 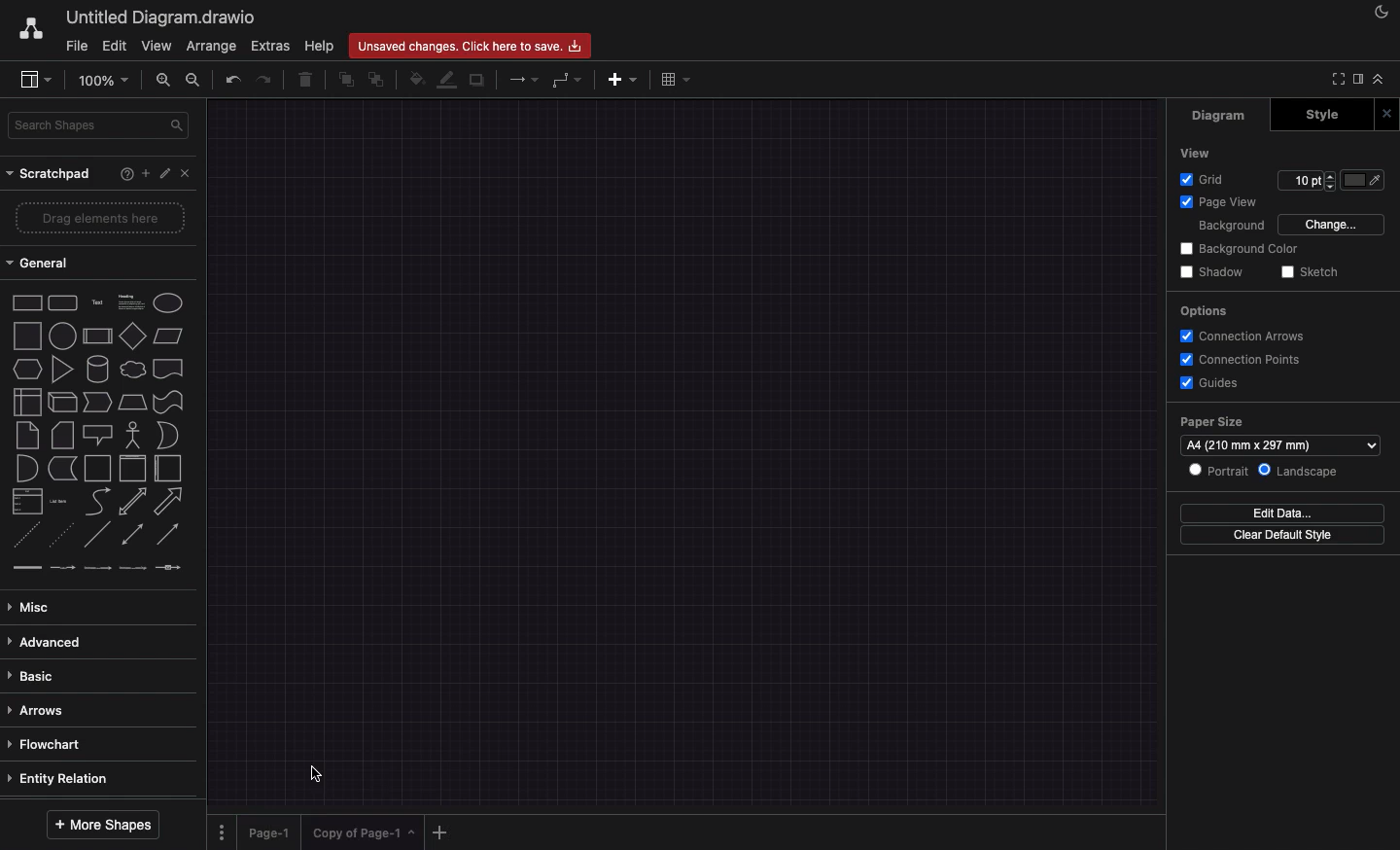 What do you see at coordinates (95, 125) in the screenshot?
I see `search shapes` at bounding box center [95, 125].